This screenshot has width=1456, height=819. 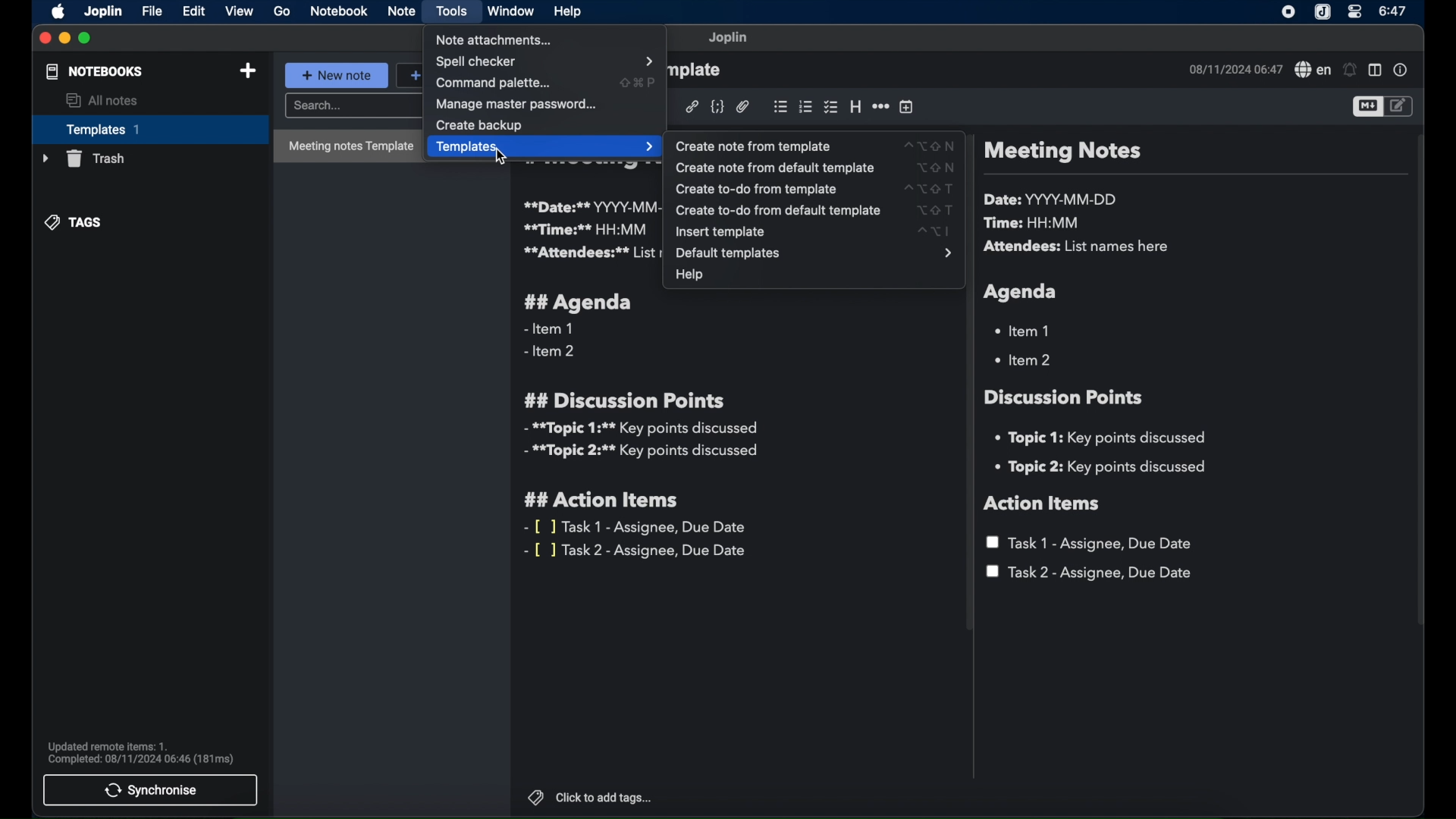 What do you see at coordinates (812, 253) in the screenshot?
I see `default notes templates menu` at bounding box center [812, 253].